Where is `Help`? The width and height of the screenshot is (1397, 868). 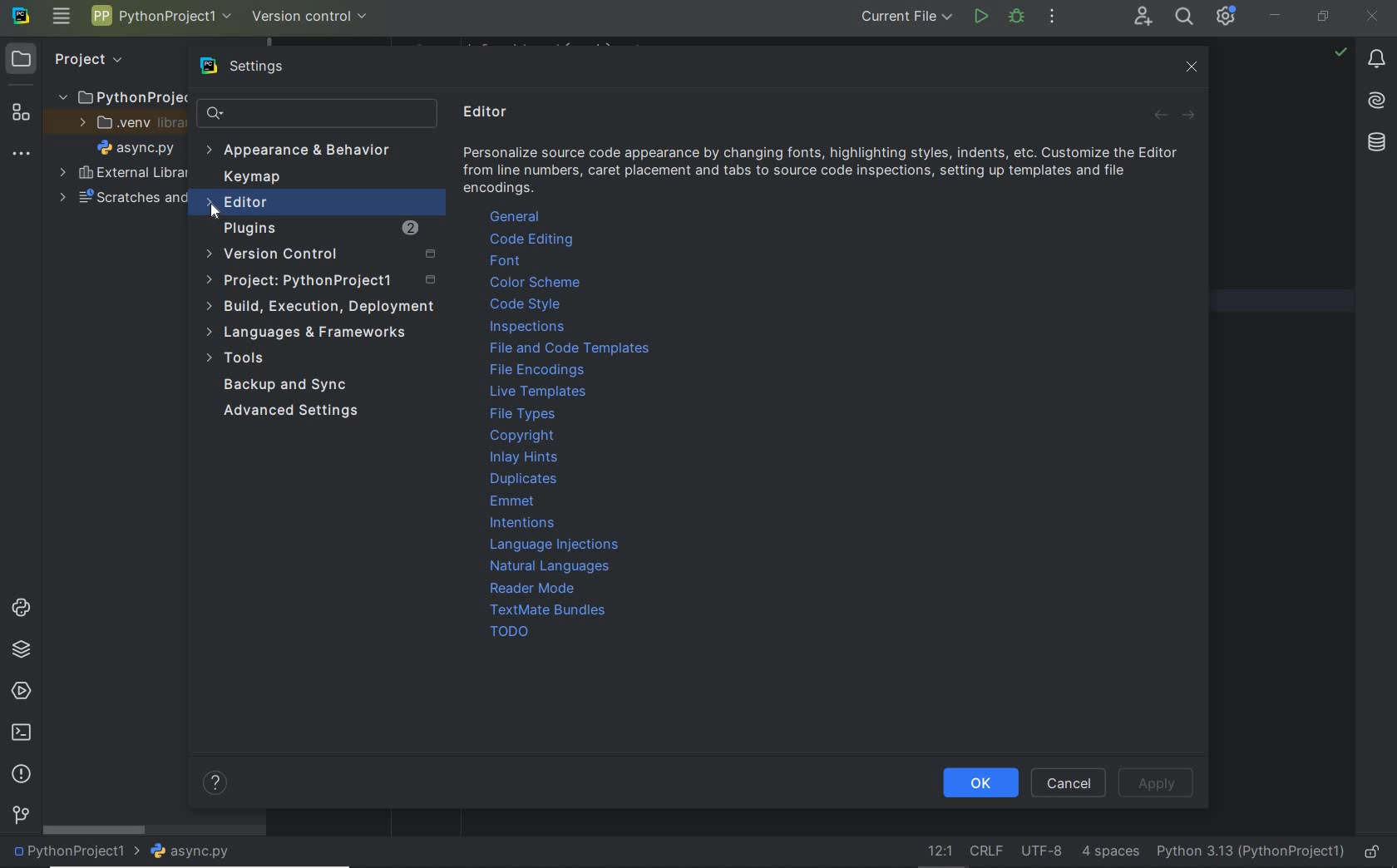 Help is located at coordinates (210, 782).